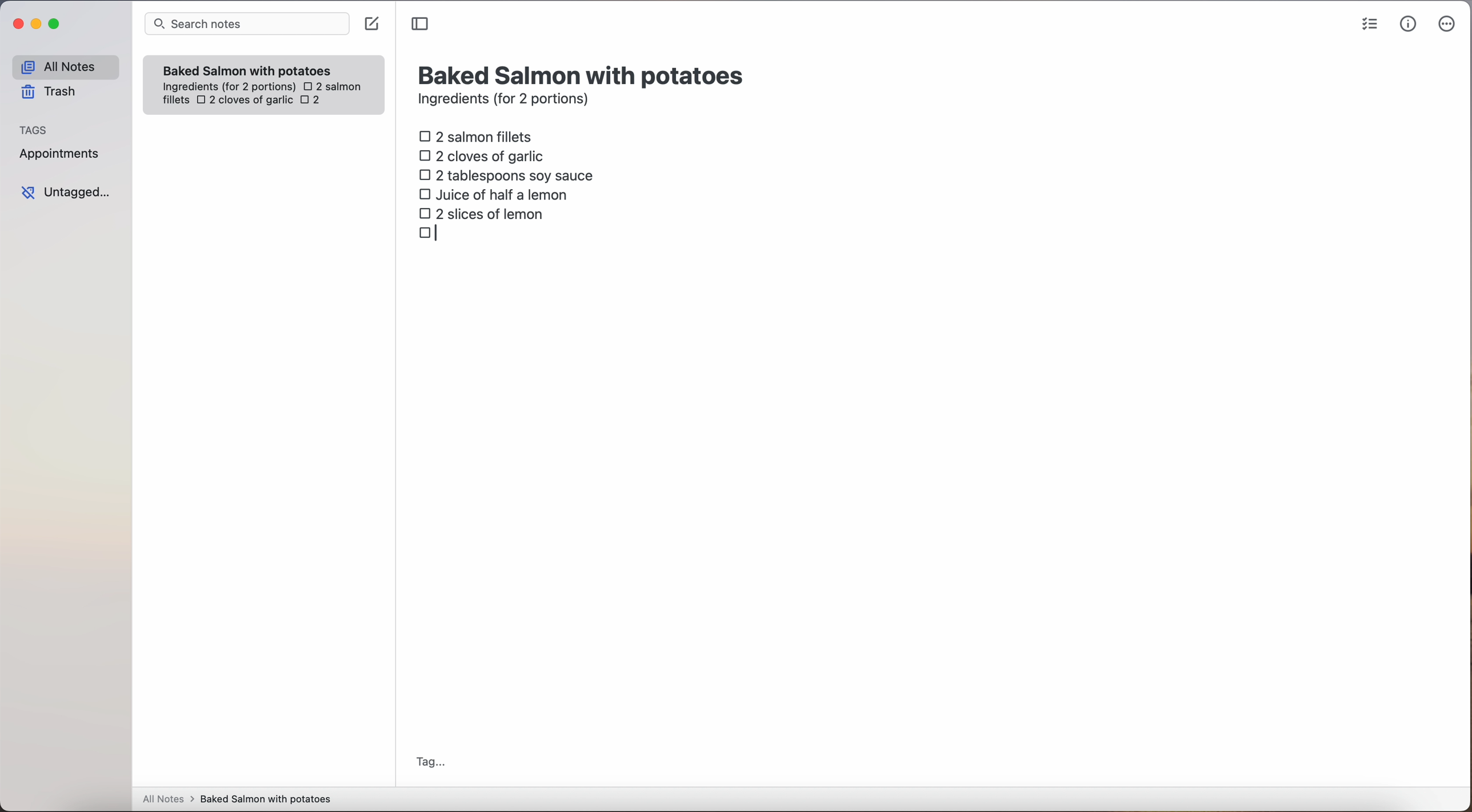 The image size is (1472, 812). I want to click on 2 tablespoons soy sauce, so click(506, 175).